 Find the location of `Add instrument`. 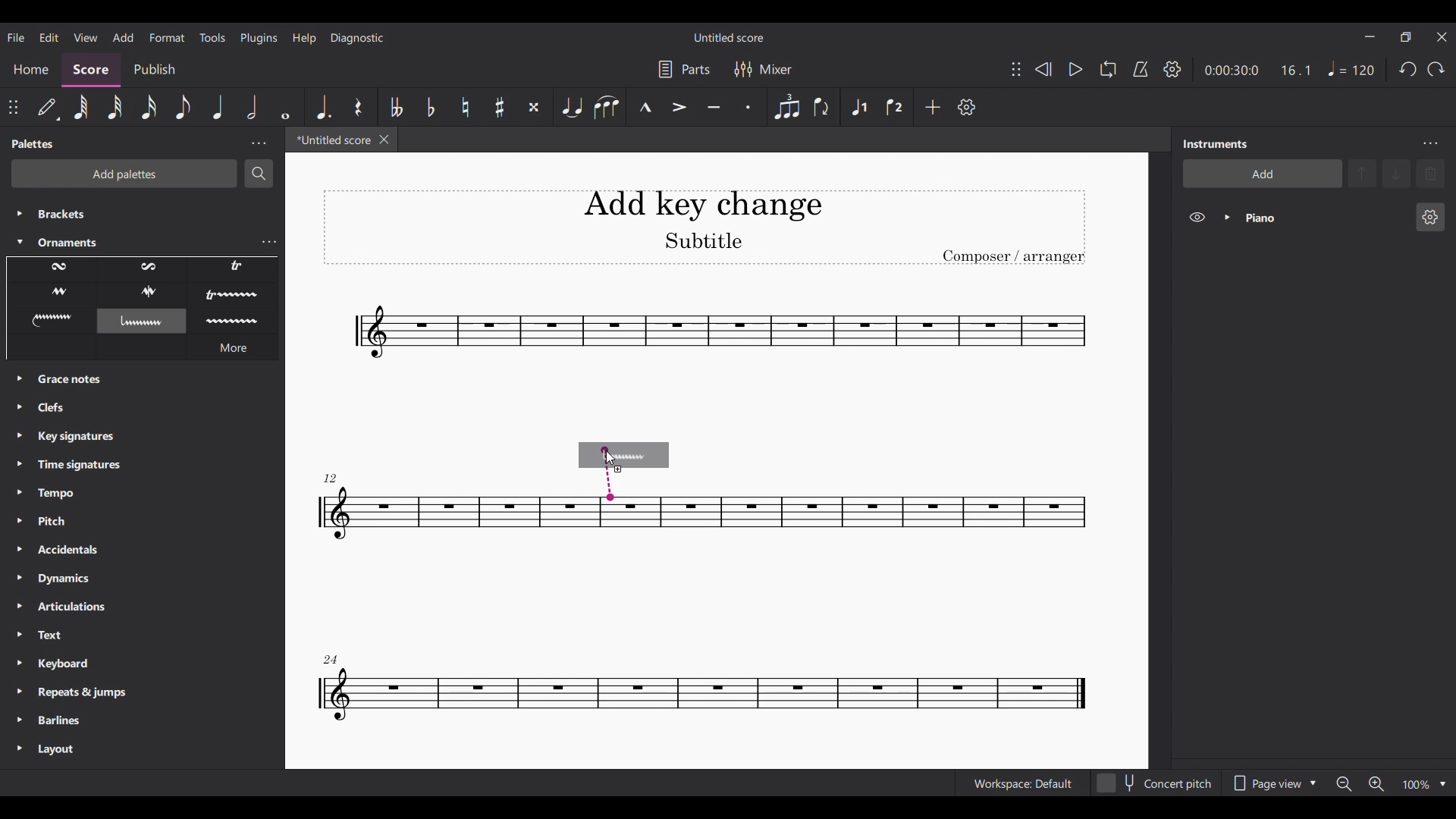

Add instrument is located at coordinates (1263, 174).